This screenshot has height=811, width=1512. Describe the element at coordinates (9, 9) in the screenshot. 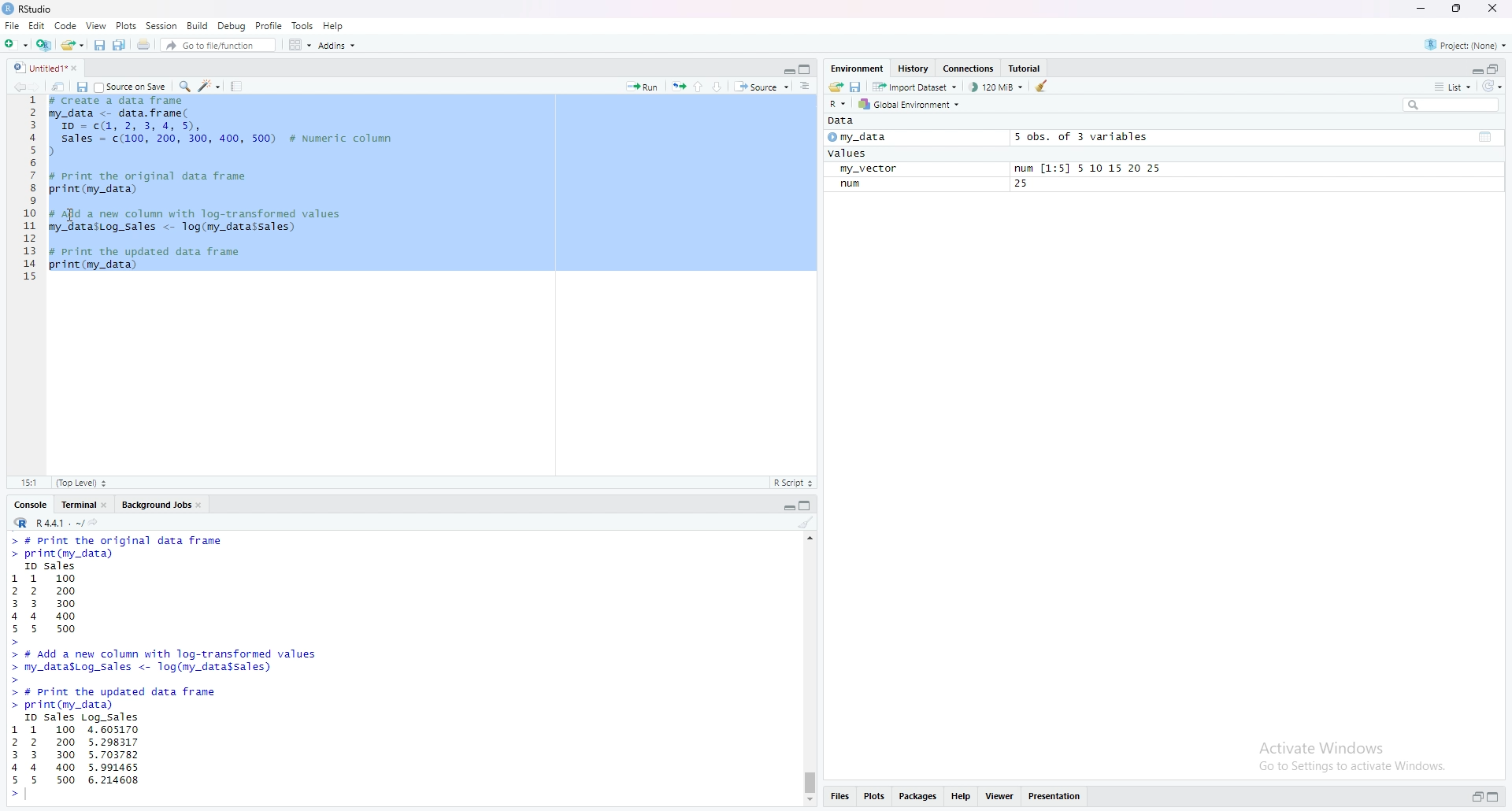

I see `RStudio logo` at that location.